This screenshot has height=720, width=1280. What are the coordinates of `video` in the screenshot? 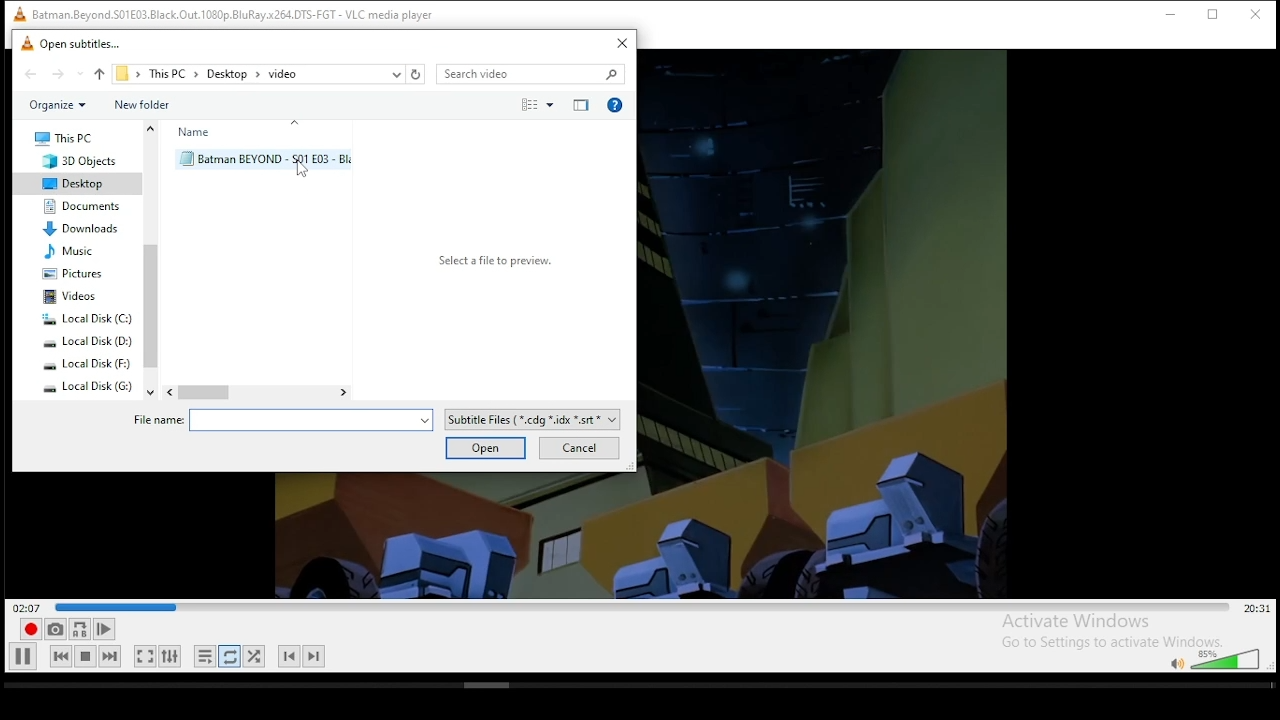 It's located at (282, 73).